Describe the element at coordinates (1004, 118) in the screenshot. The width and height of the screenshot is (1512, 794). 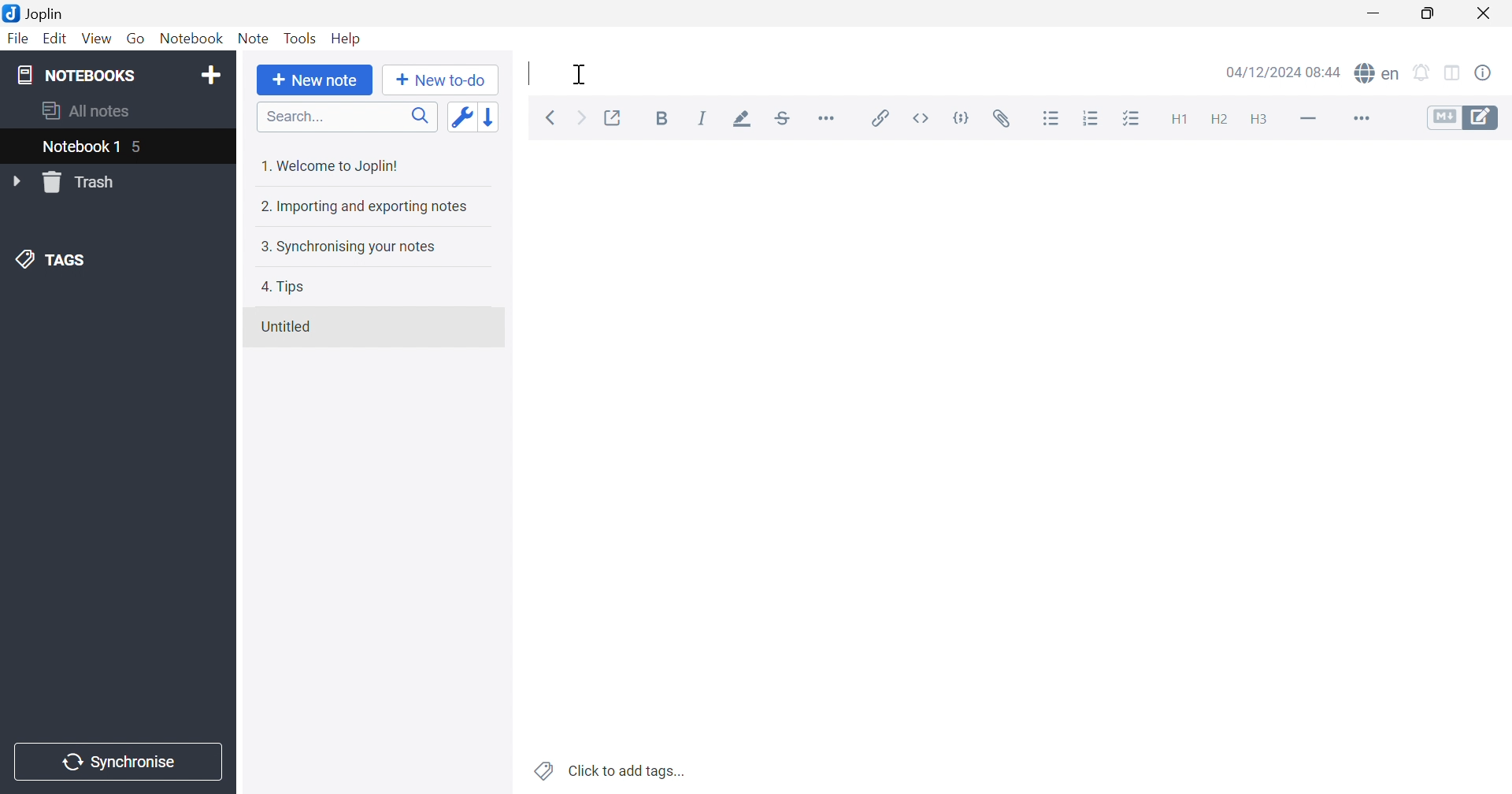
I see `Attach file` at that location.